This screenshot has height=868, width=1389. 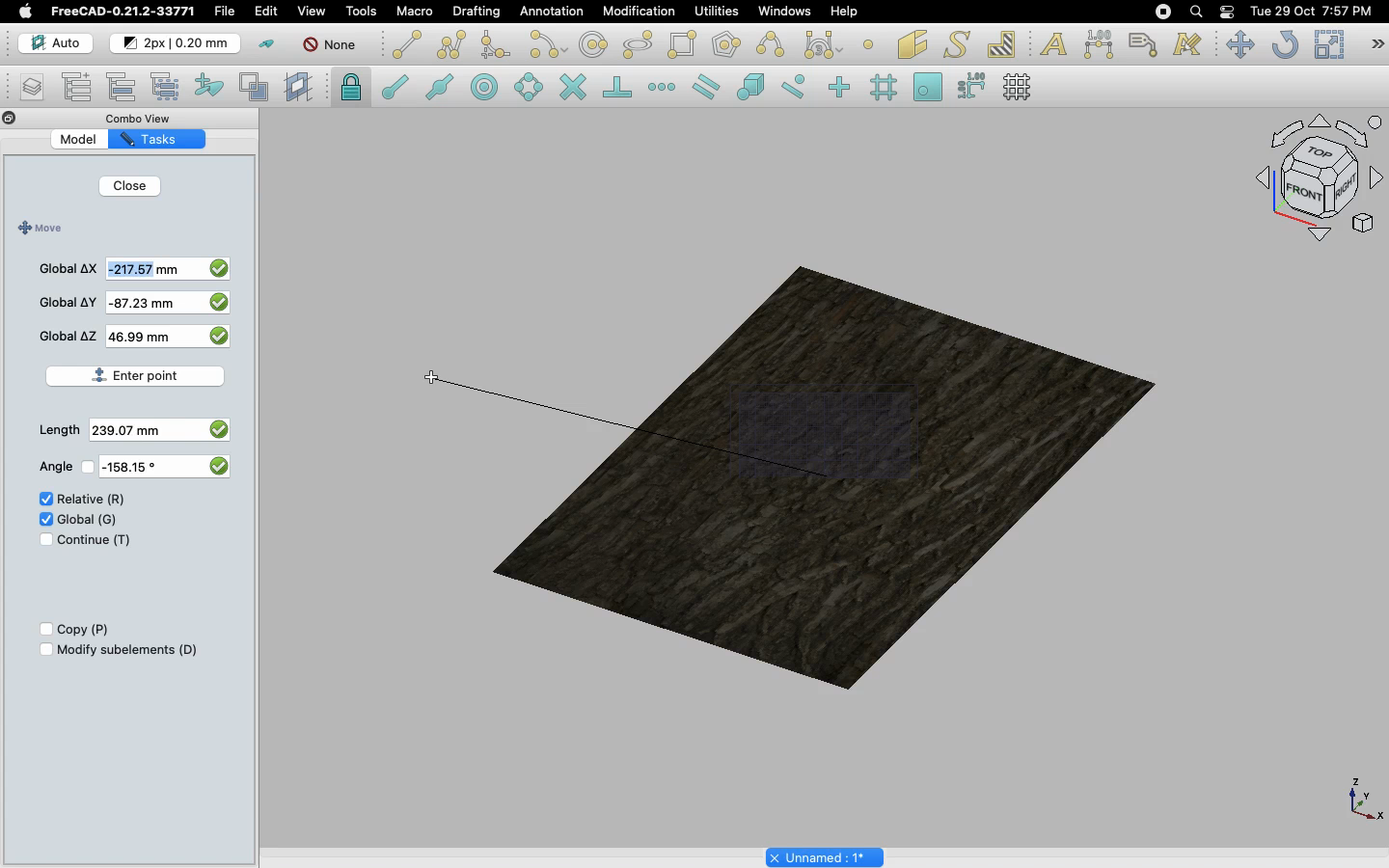 What do you see at coordinates (352, 90) in the screenshot?
I see `lock` at bounding box center [352, 90].